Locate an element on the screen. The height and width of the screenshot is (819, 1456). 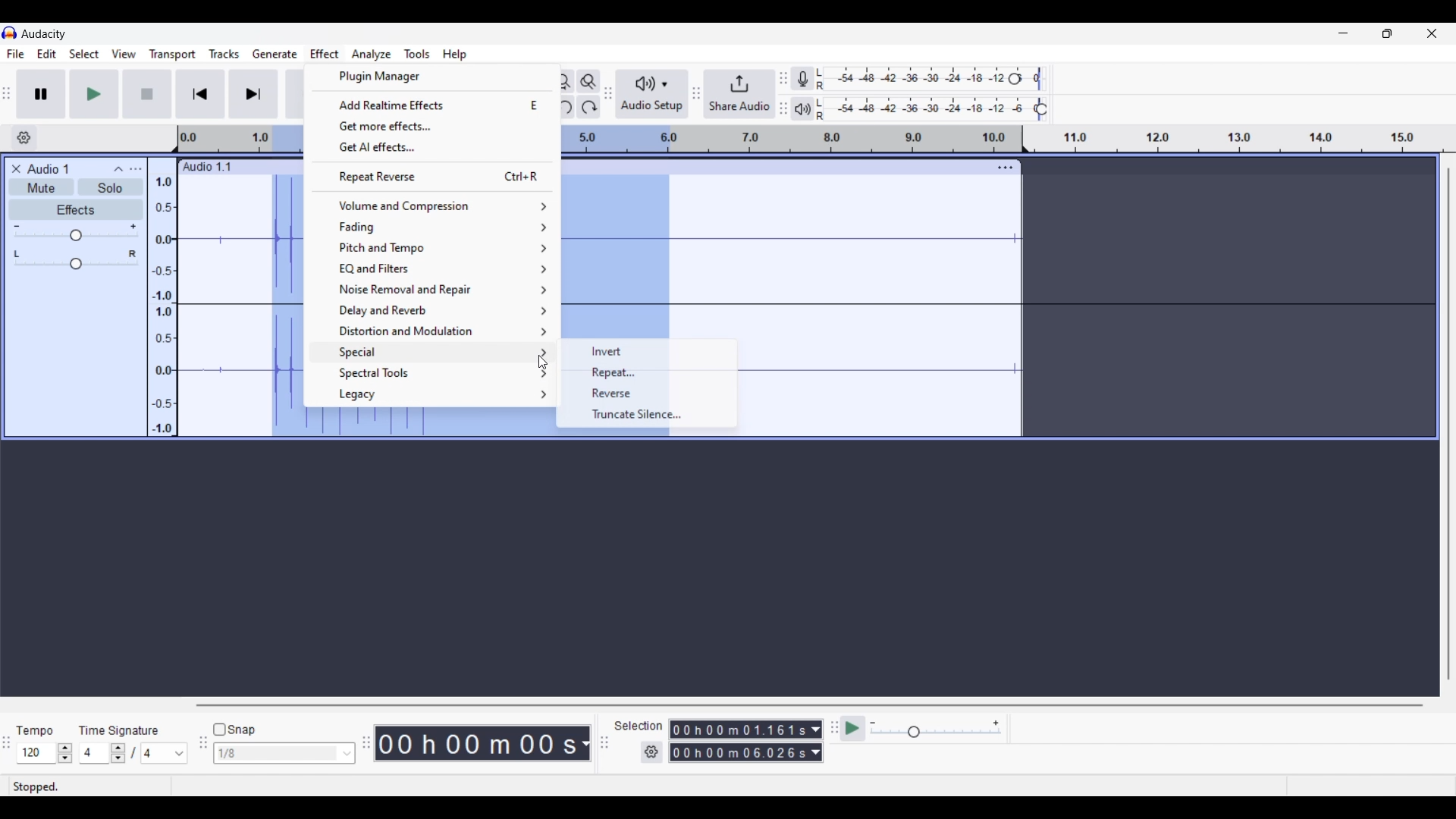
Generate menu is located at coordinates (275, 55).